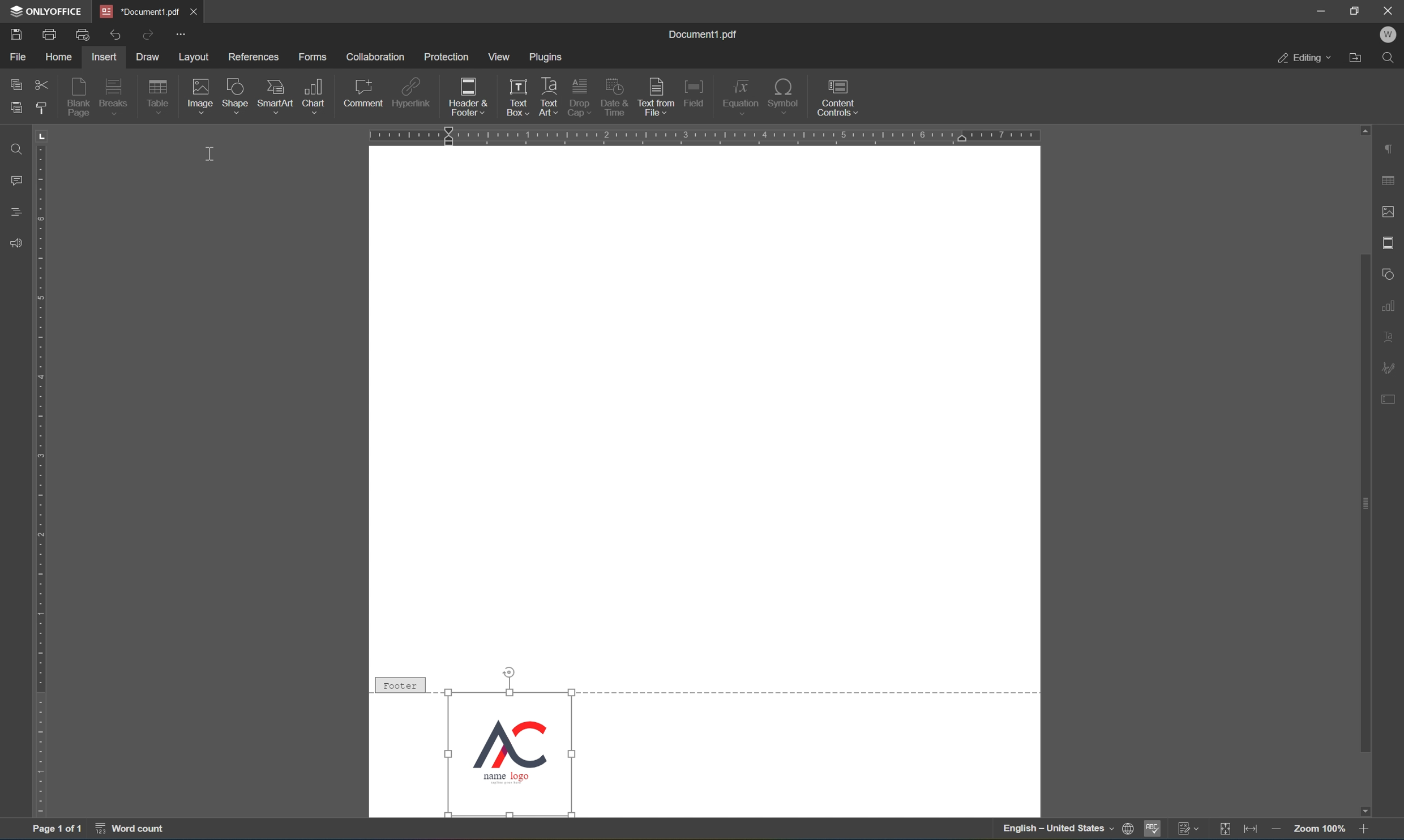  I want to click on profile, so click(1391, 36).